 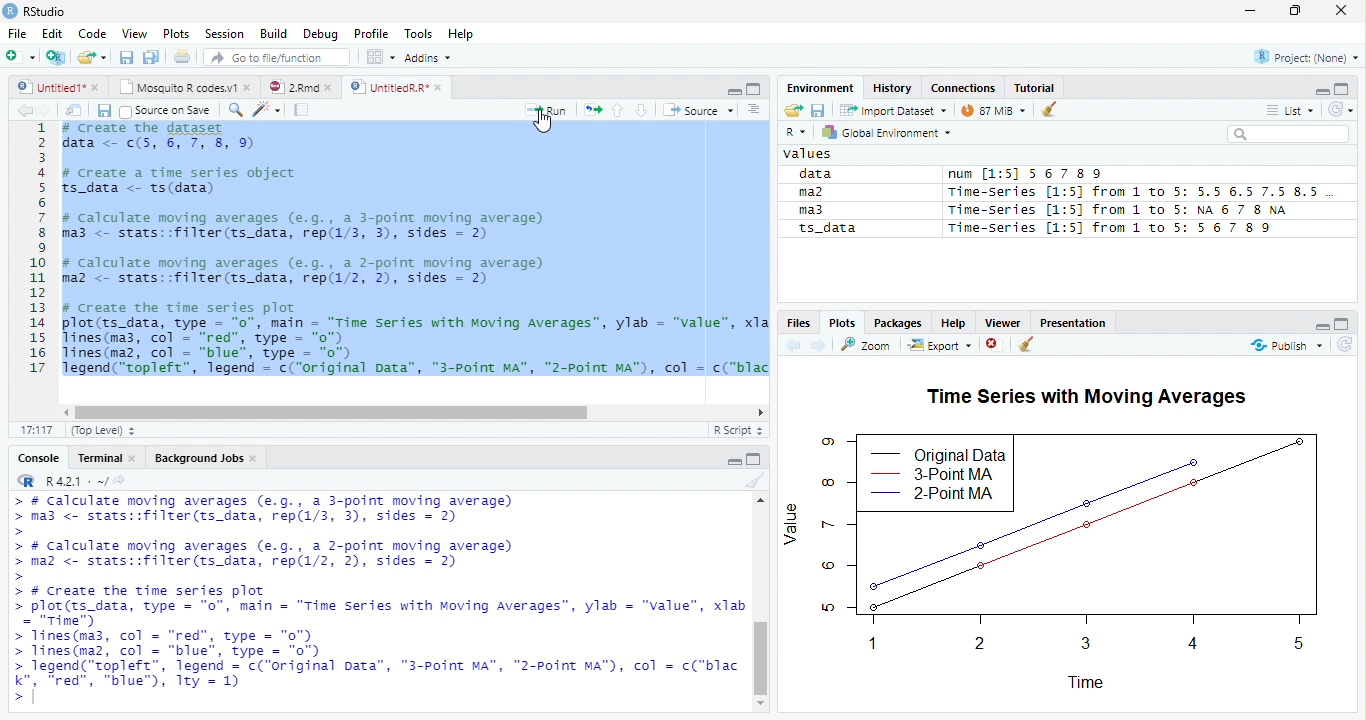 What do you see at coordinates (273, 57) in the screenshot?
I see `Go to file/function` at bounding box center [273, 57].